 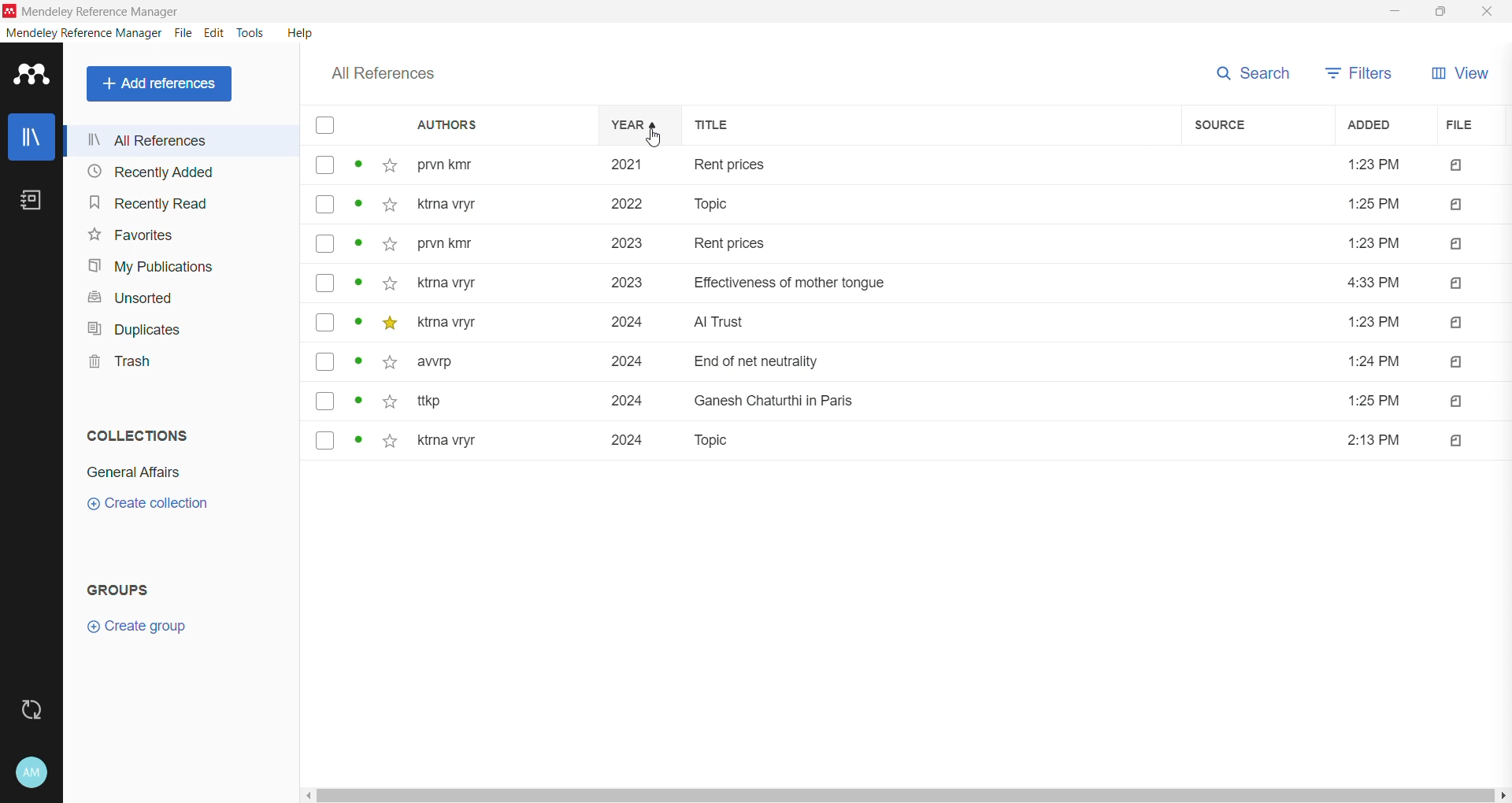 What do you see at coordinates (326, 401) in the screenshot?
I see `select` at bounding box center [326, 401].